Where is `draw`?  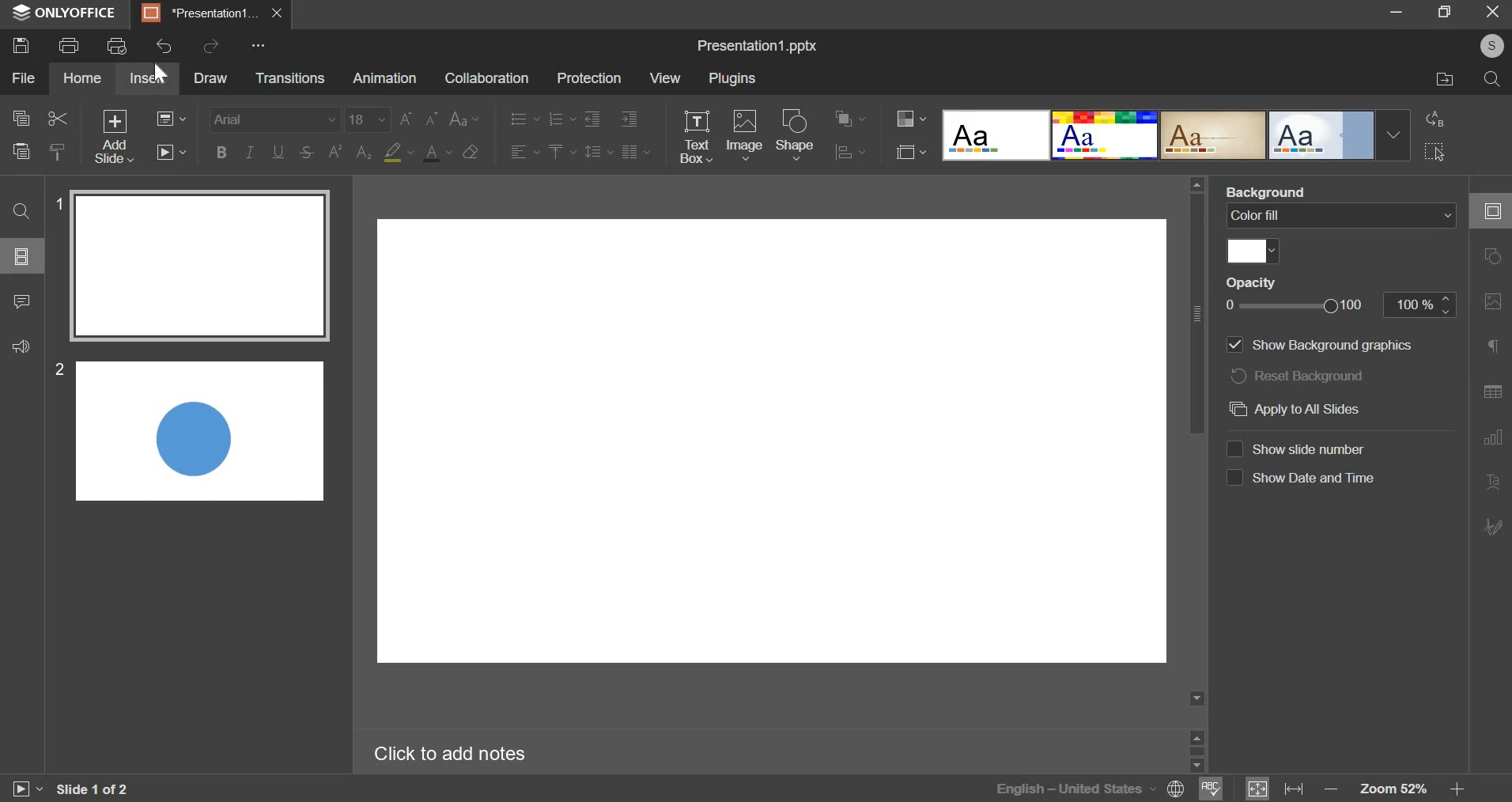 draw is located at coordinates (210, 78).